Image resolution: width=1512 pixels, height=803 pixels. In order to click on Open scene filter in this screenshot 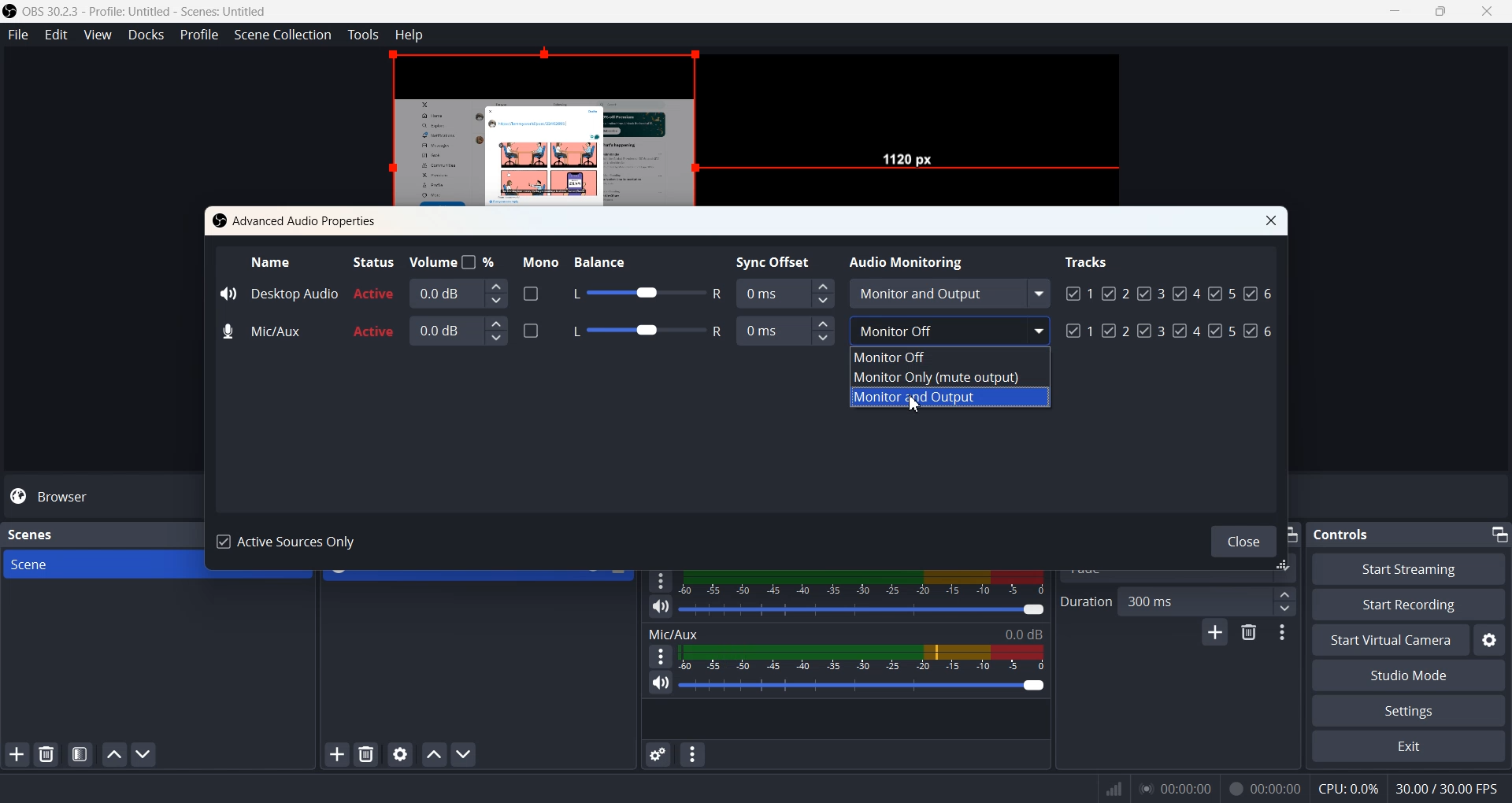, I will do `click(80, 756)`.